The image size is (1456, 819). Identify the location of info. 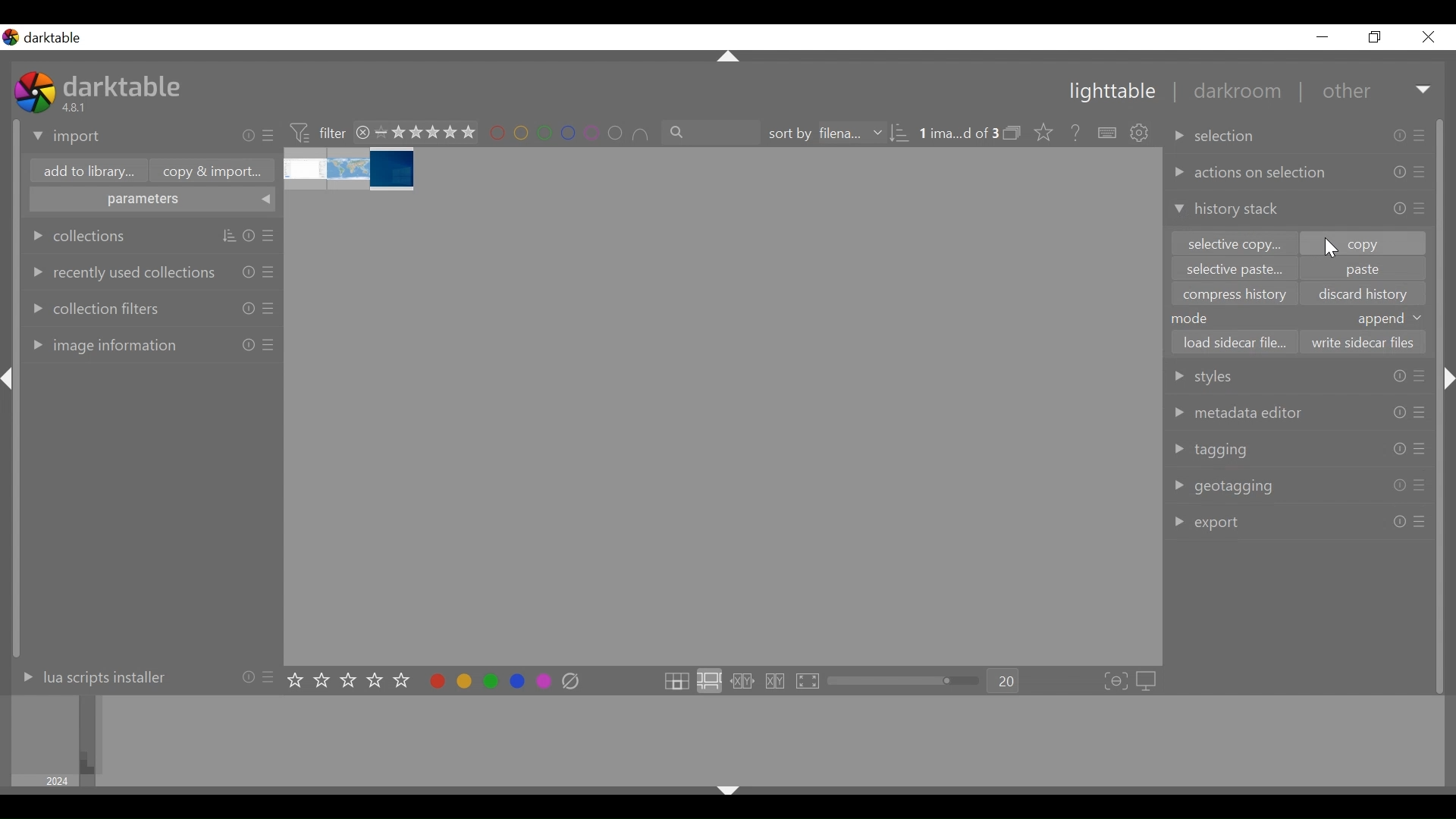
(247, 676).